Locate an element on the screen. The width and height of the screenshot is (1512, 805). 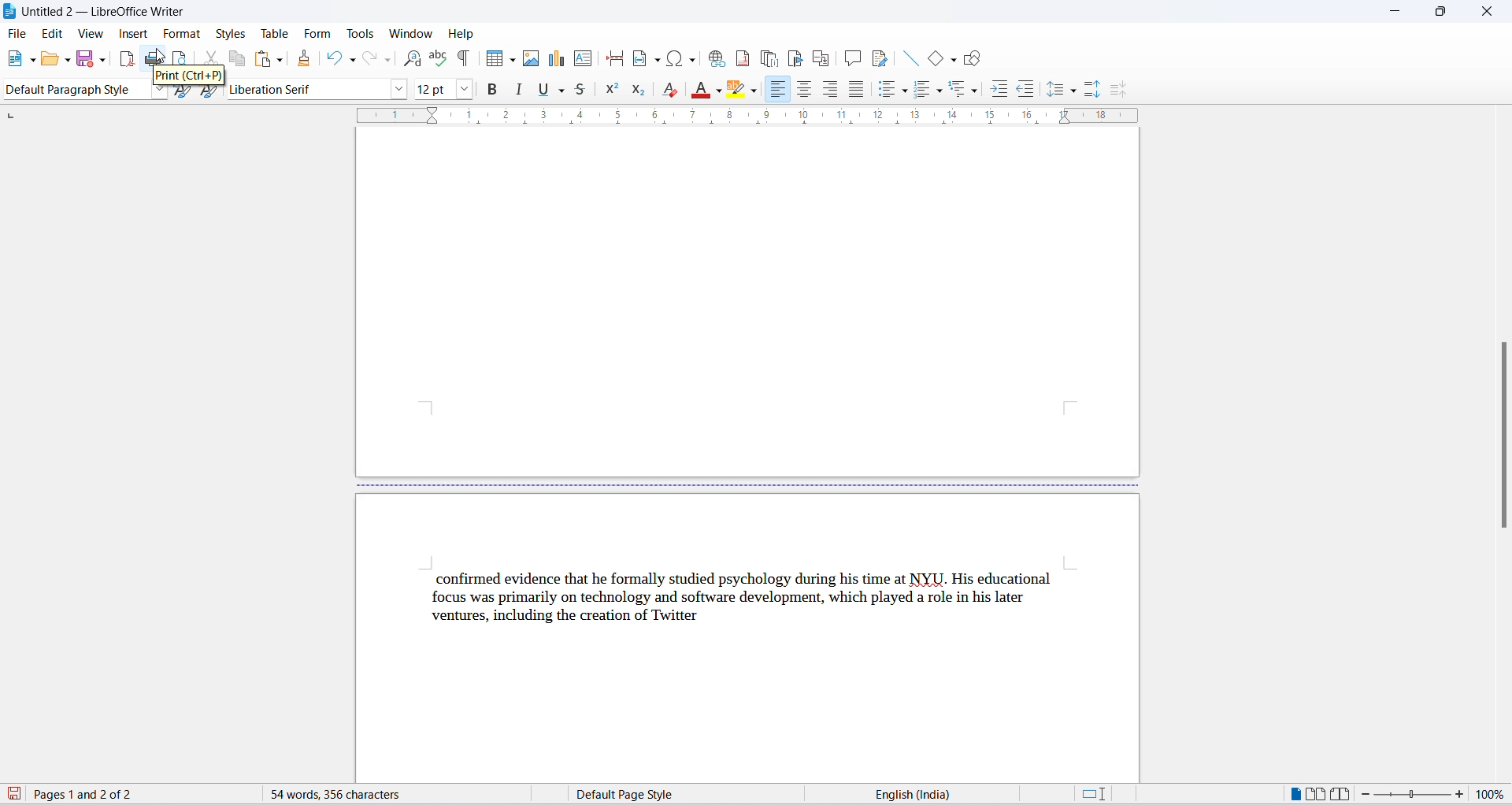
insert comments is located at coordinates (852, 57).